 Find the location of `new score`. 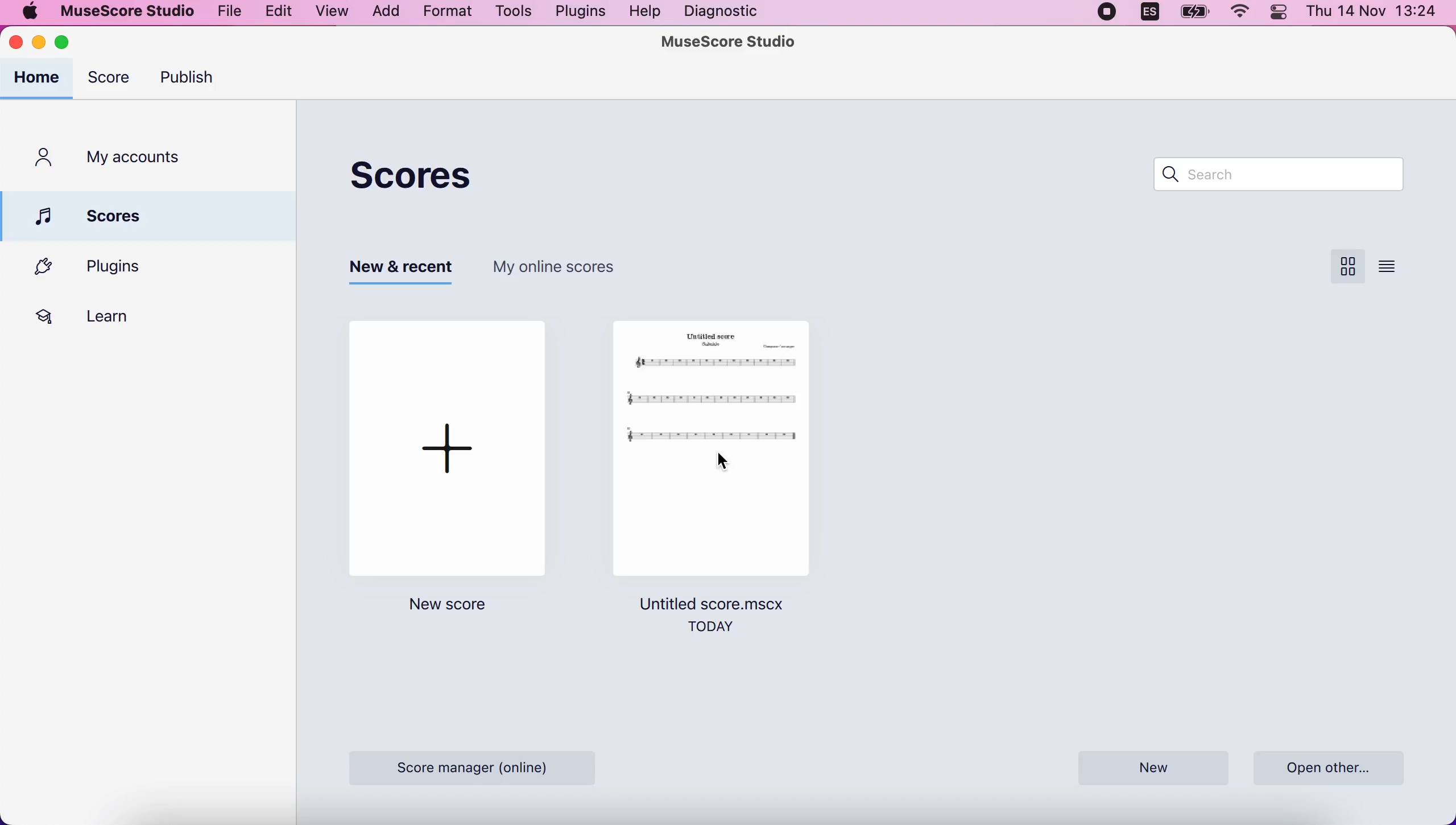

new score is located at coordinates (455, 447).